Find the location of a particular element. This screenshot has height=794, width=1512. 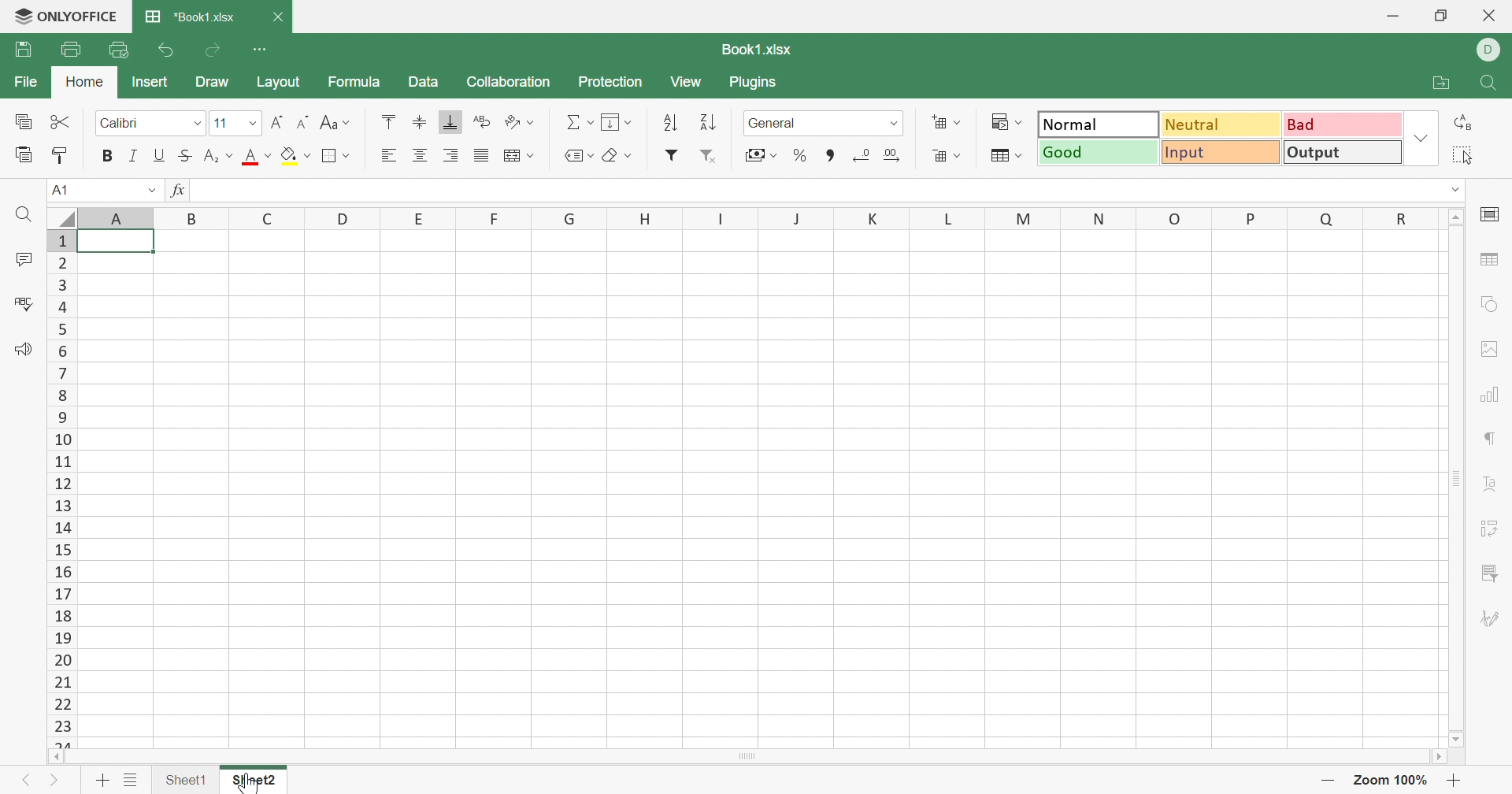

Book1.xlsx is located at coordinates (758, 50).